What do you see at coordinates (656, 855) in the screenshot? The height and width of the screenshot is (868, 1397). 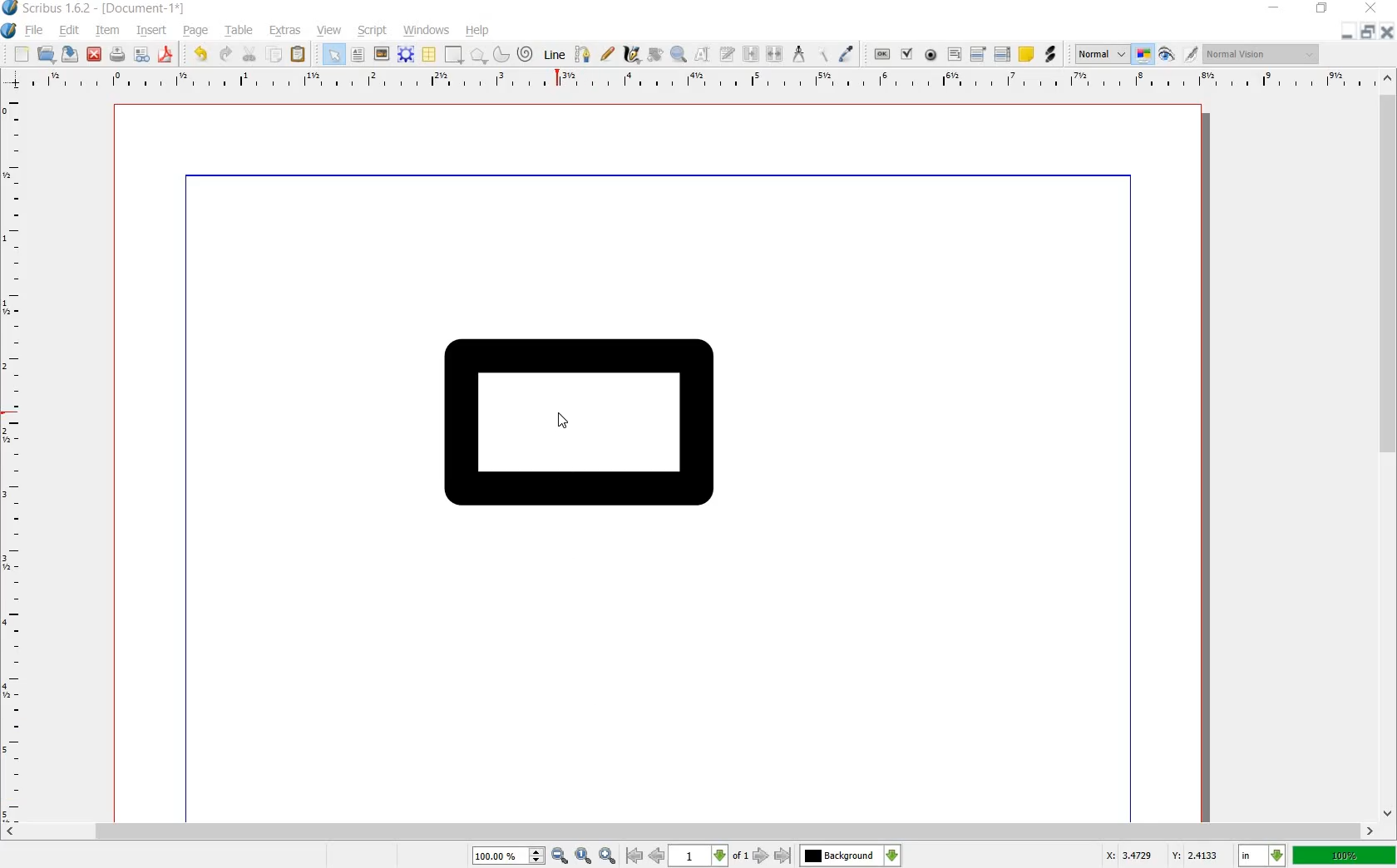 I see `go to previous page` at bounding box center [656, 855].